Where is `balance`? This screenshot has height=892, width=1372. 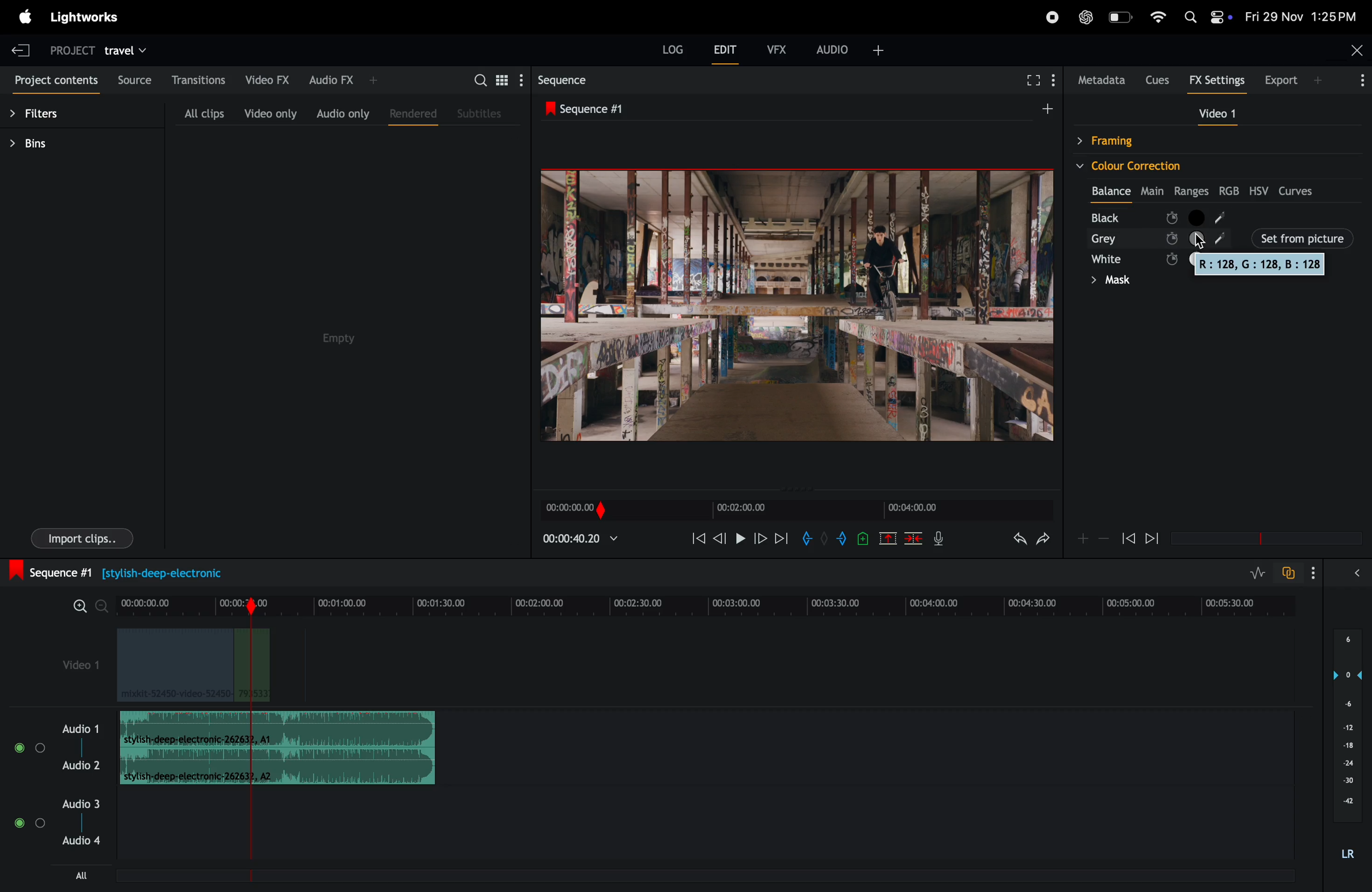
balance is located at coordinates (1111, 189).